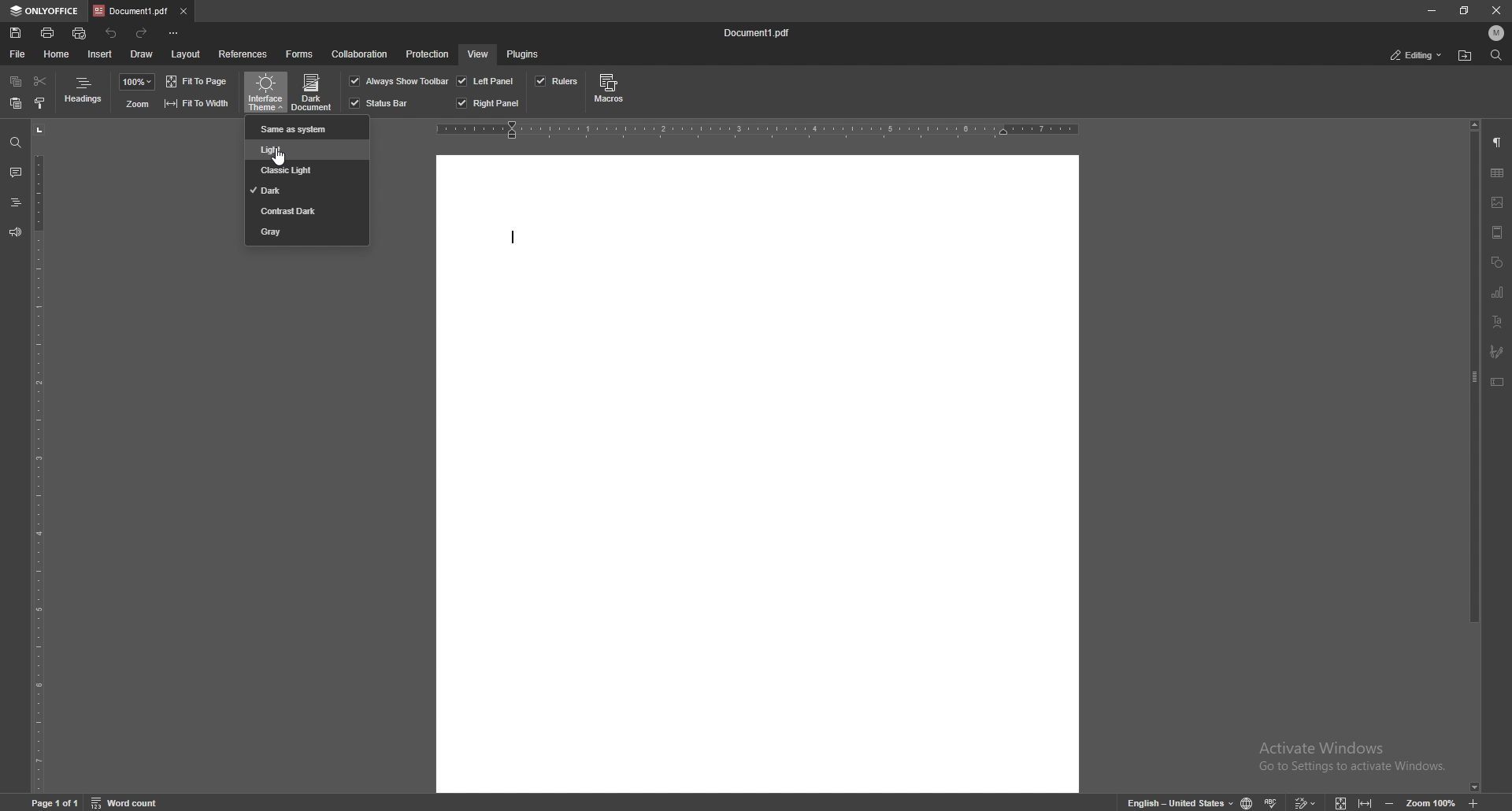 Image resolution: width=1512 pixels, height=811 pixels. What do you see at coordinates (486, 81) in the screenshot?
I see `left panel` at bounding box center [486, 81].